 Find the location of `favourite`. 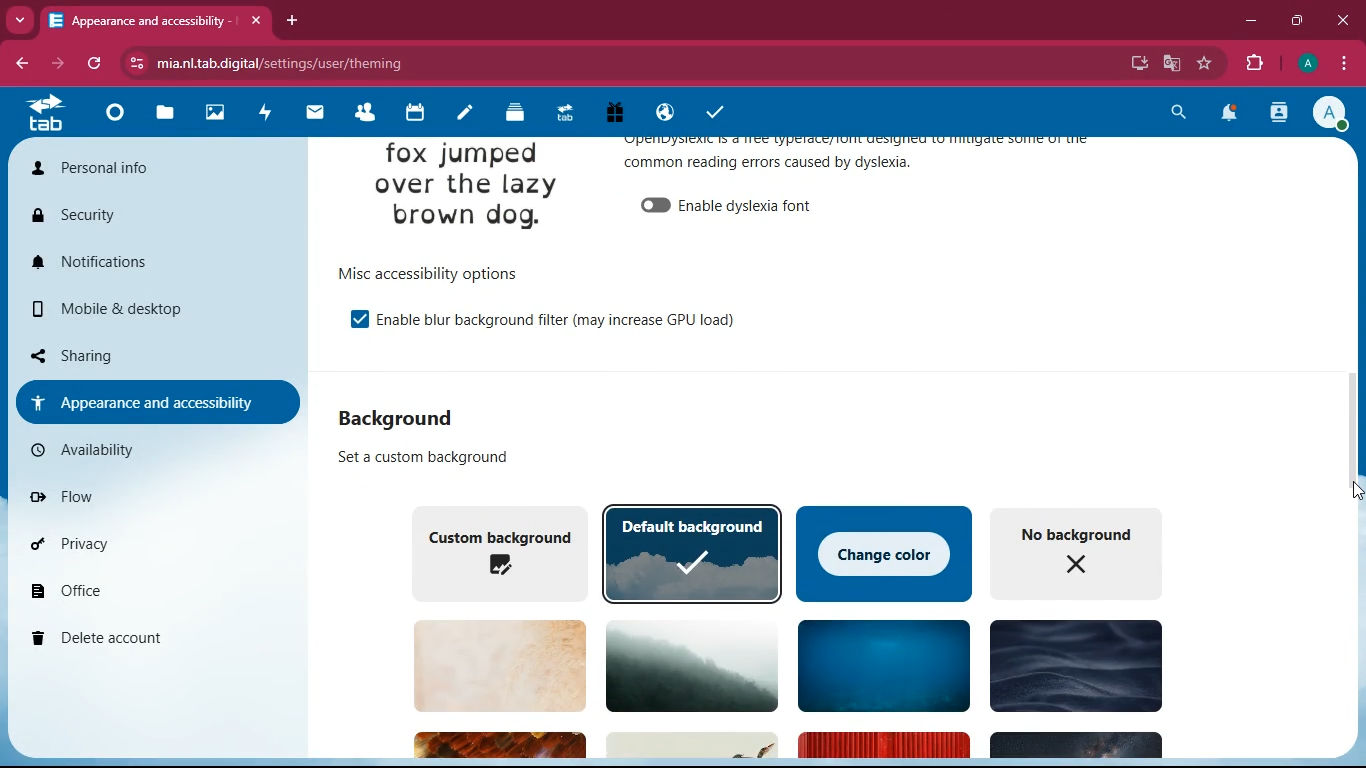

favourite is located at coordinates (1202, 64).